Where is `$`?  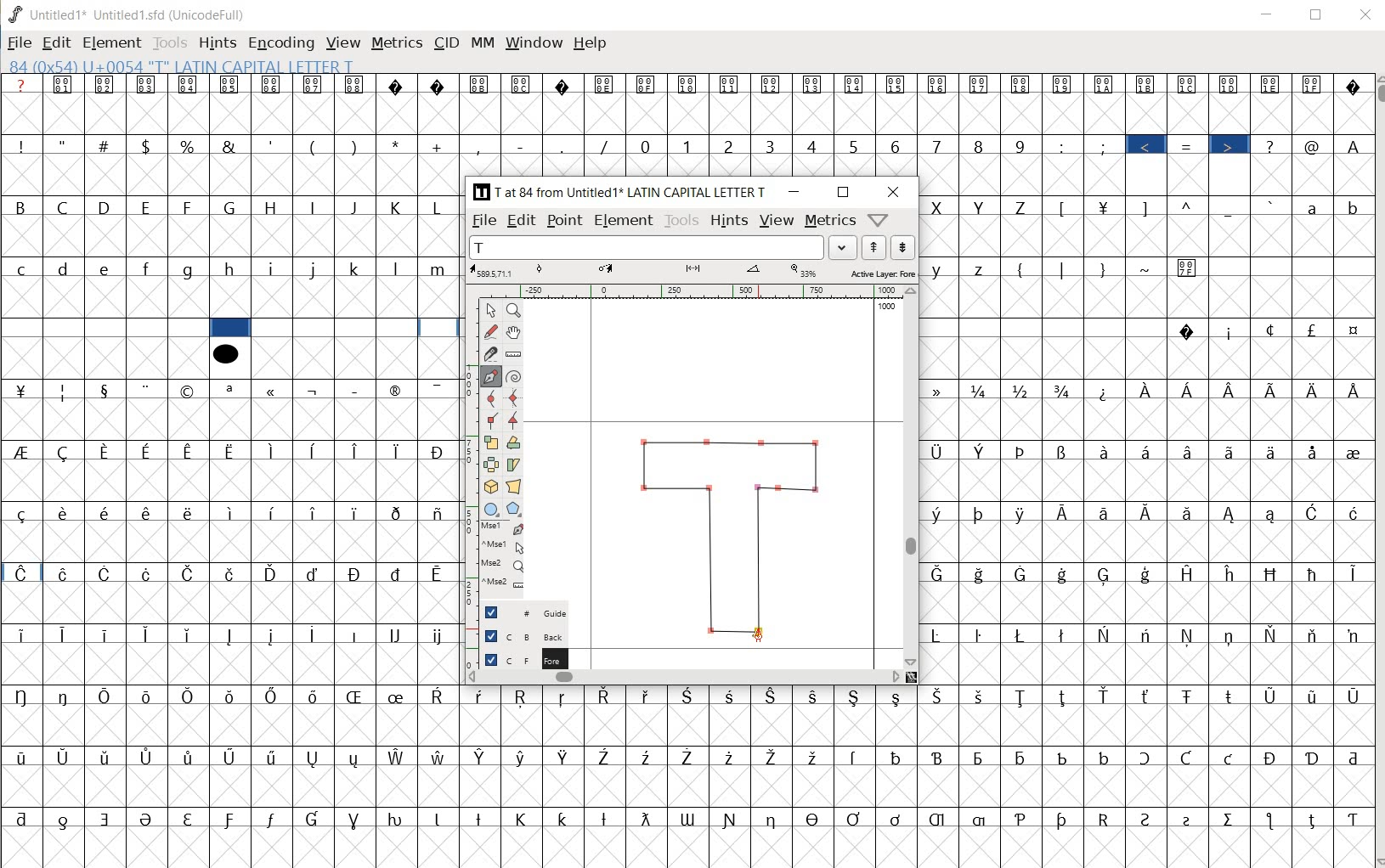 $ is located at coordinates (148, 147).